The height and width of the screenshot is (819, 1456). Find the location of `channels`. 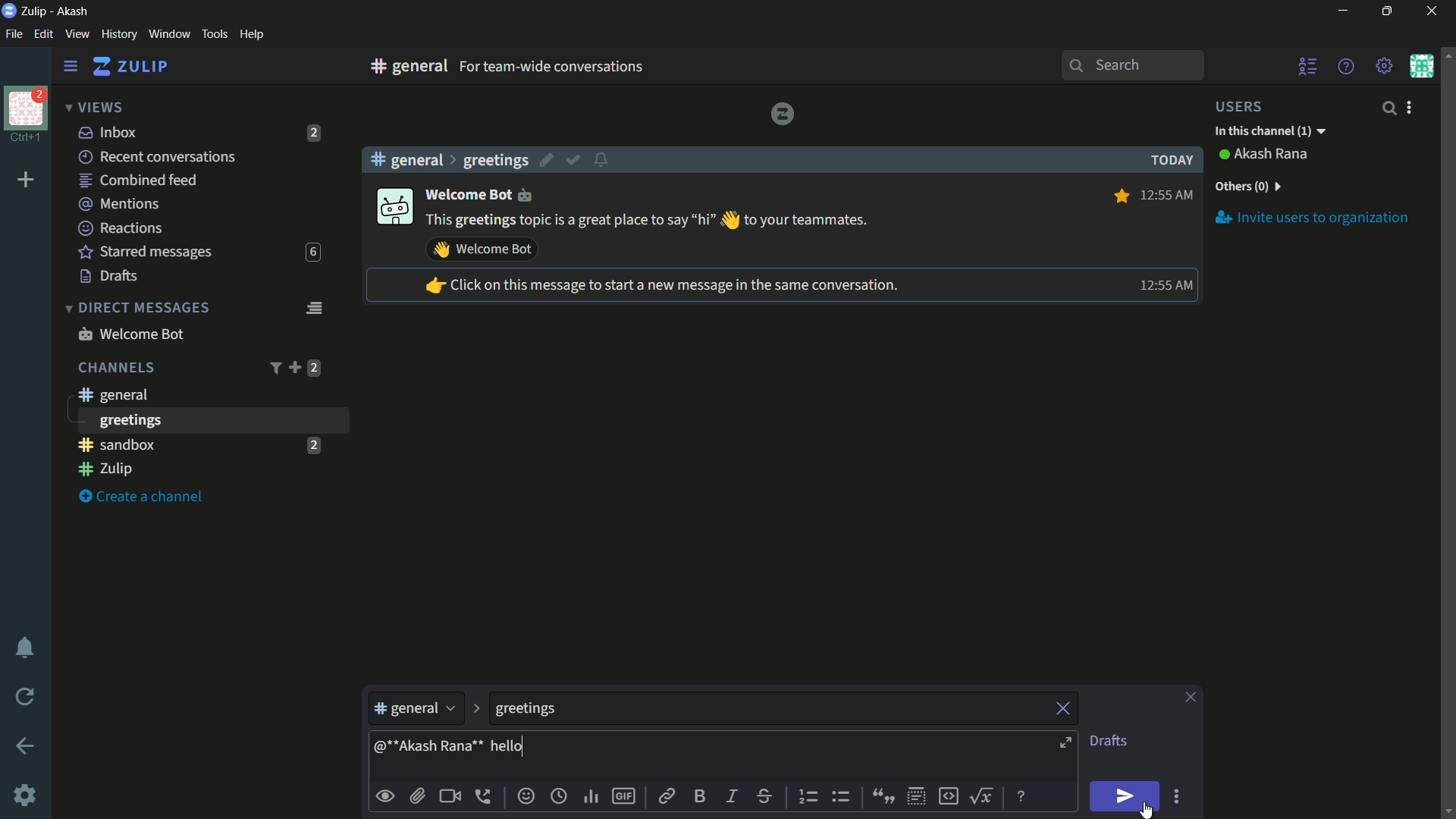

channels is located at coordinates (115, 368).